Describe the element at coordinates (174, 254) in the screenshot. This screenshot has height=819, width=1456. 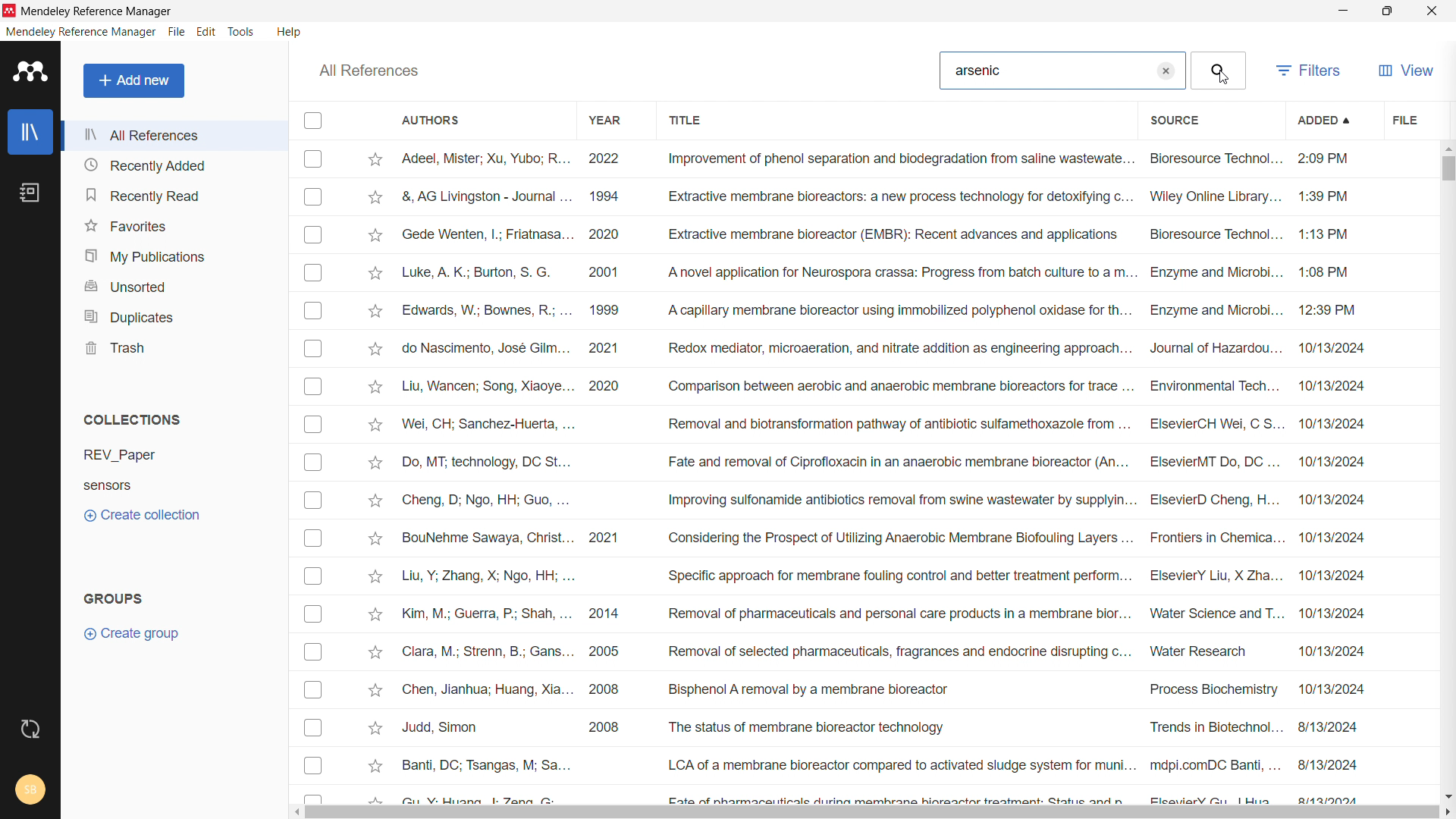
I see `my publications` at that location.